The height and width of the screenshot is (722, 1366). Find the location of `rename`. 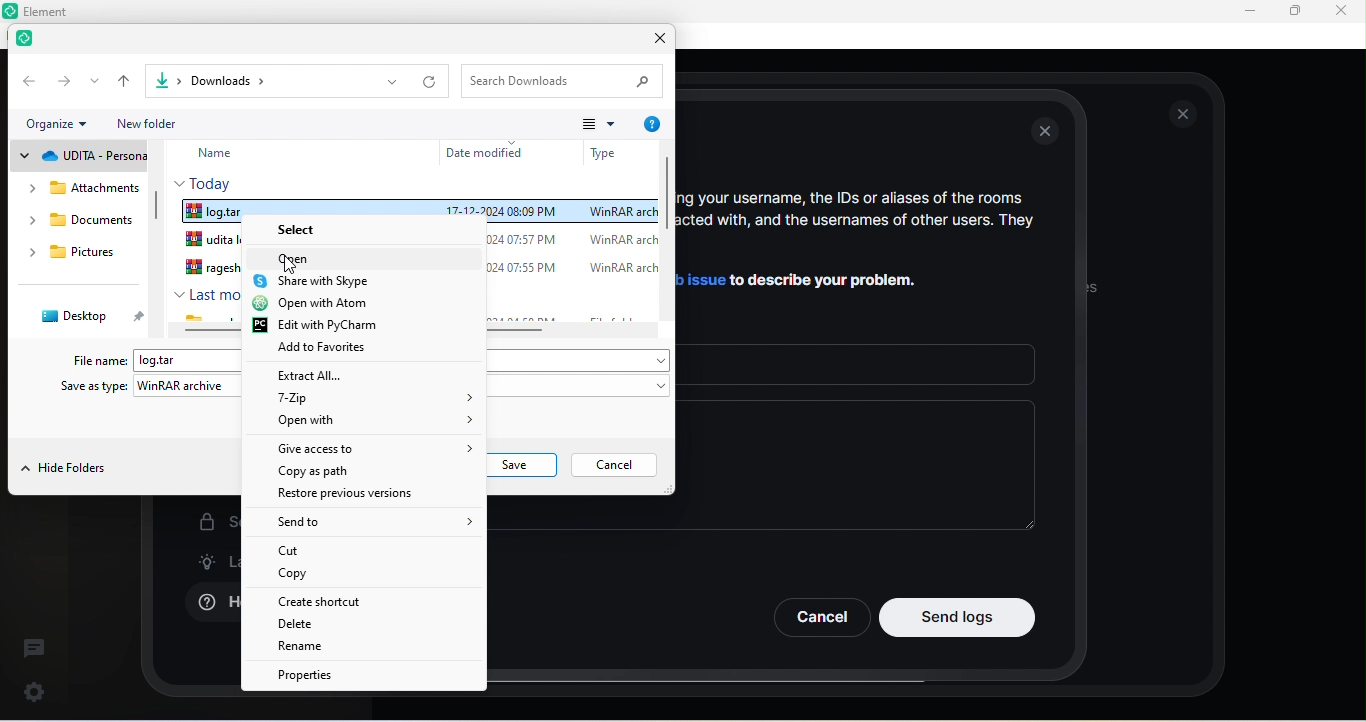

rename is located at coordinates (307, 647).